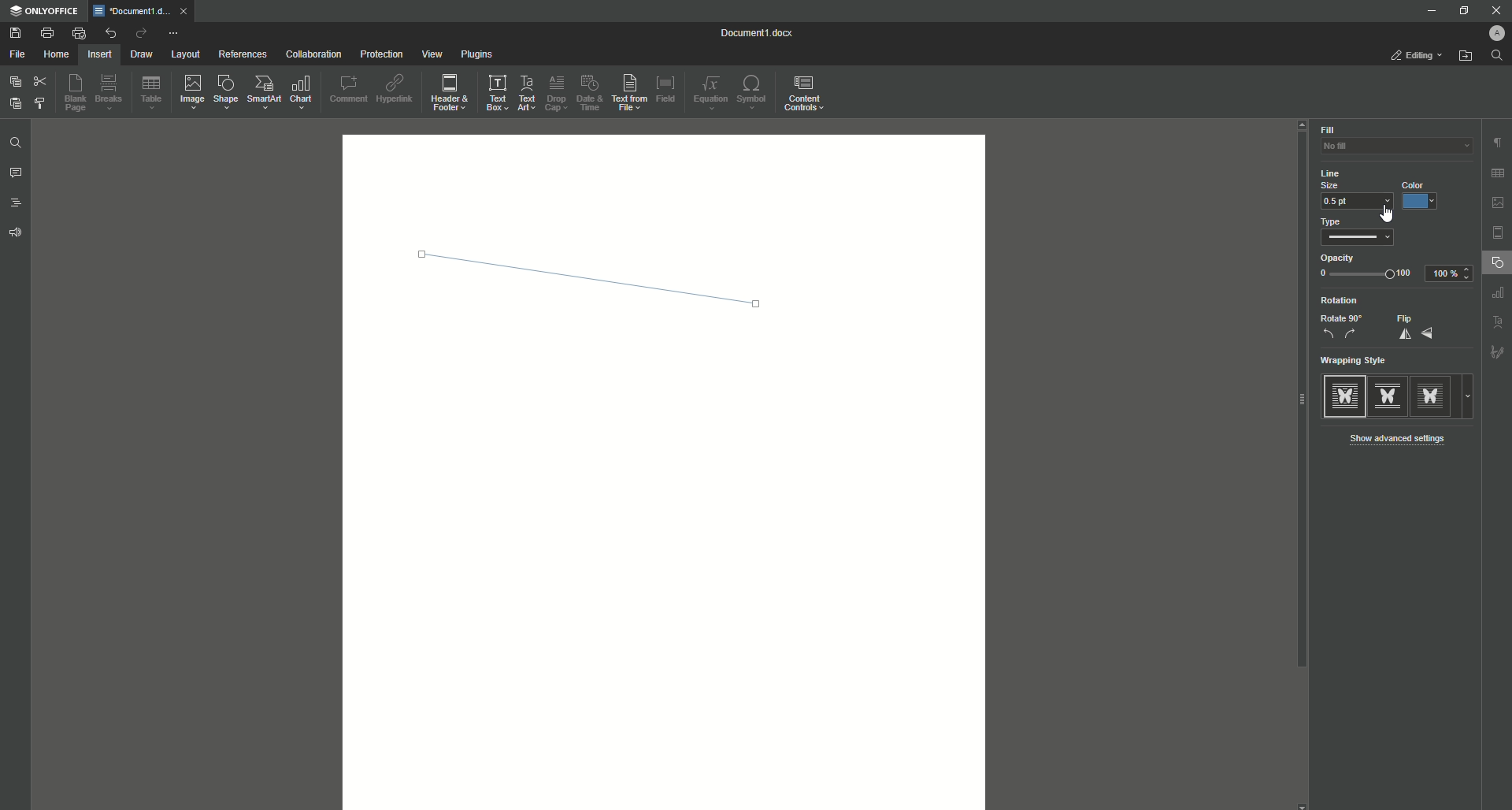 Image resolution: width=1512 pixels, height=810 pixels. What do you see at coordinates (806, 94) in the screenshot?
I see `Content Controls` at bounding box center [806, 94].